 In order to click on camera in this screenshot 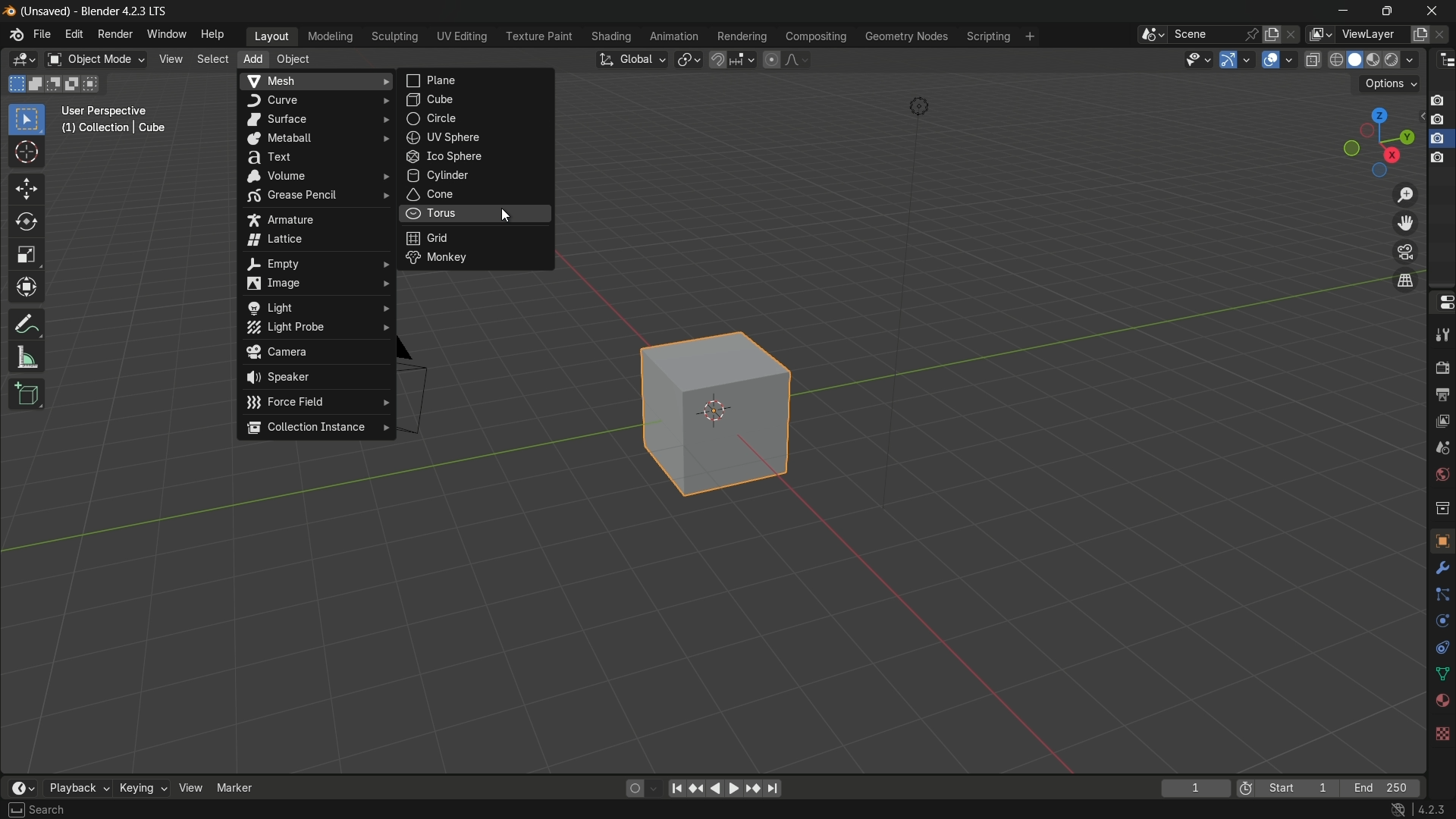, I will do `click(315, 353)`.